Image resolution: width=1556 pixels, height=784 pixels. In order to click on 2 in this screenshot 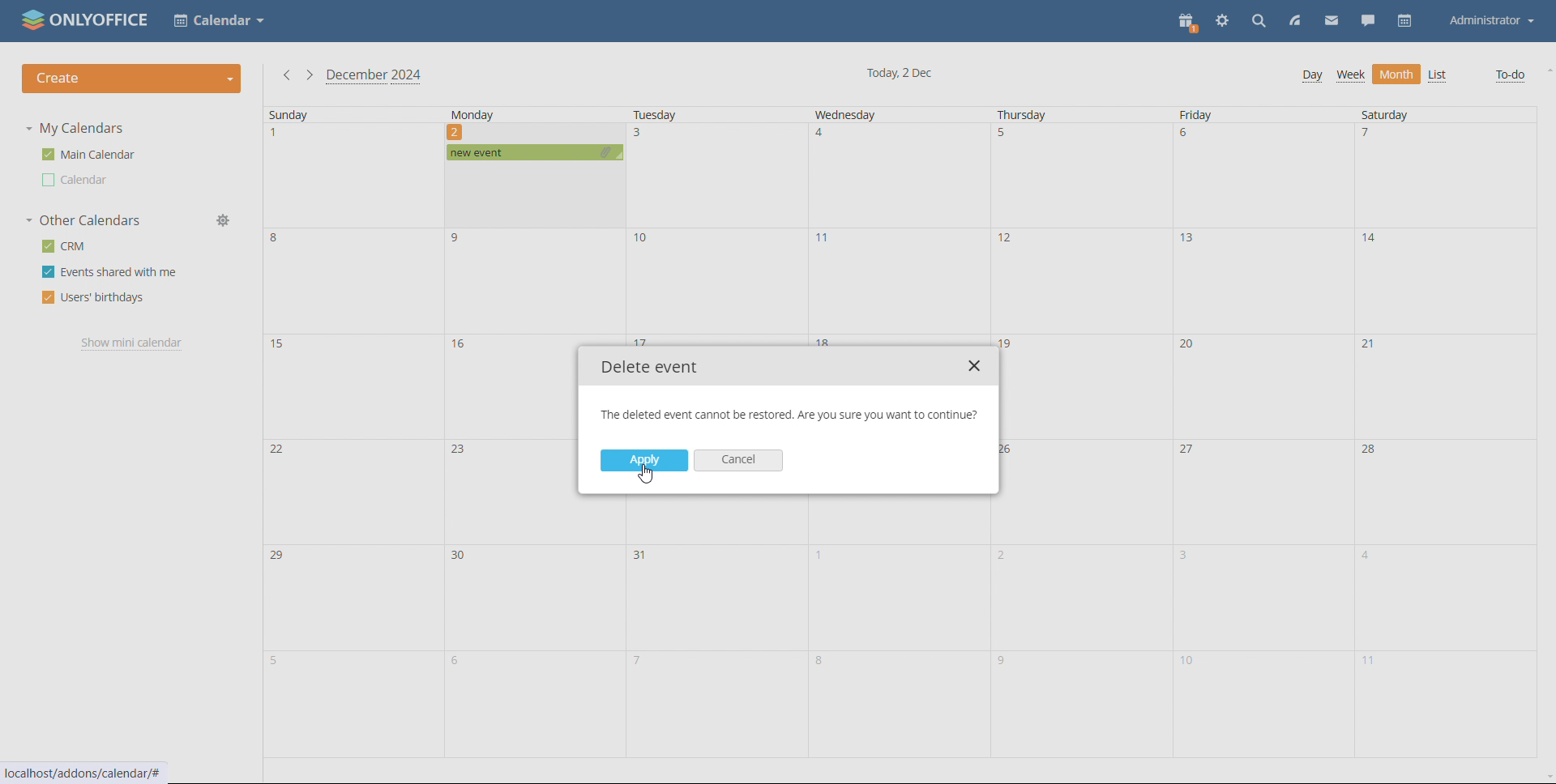, I will do `click(455, 132)`.